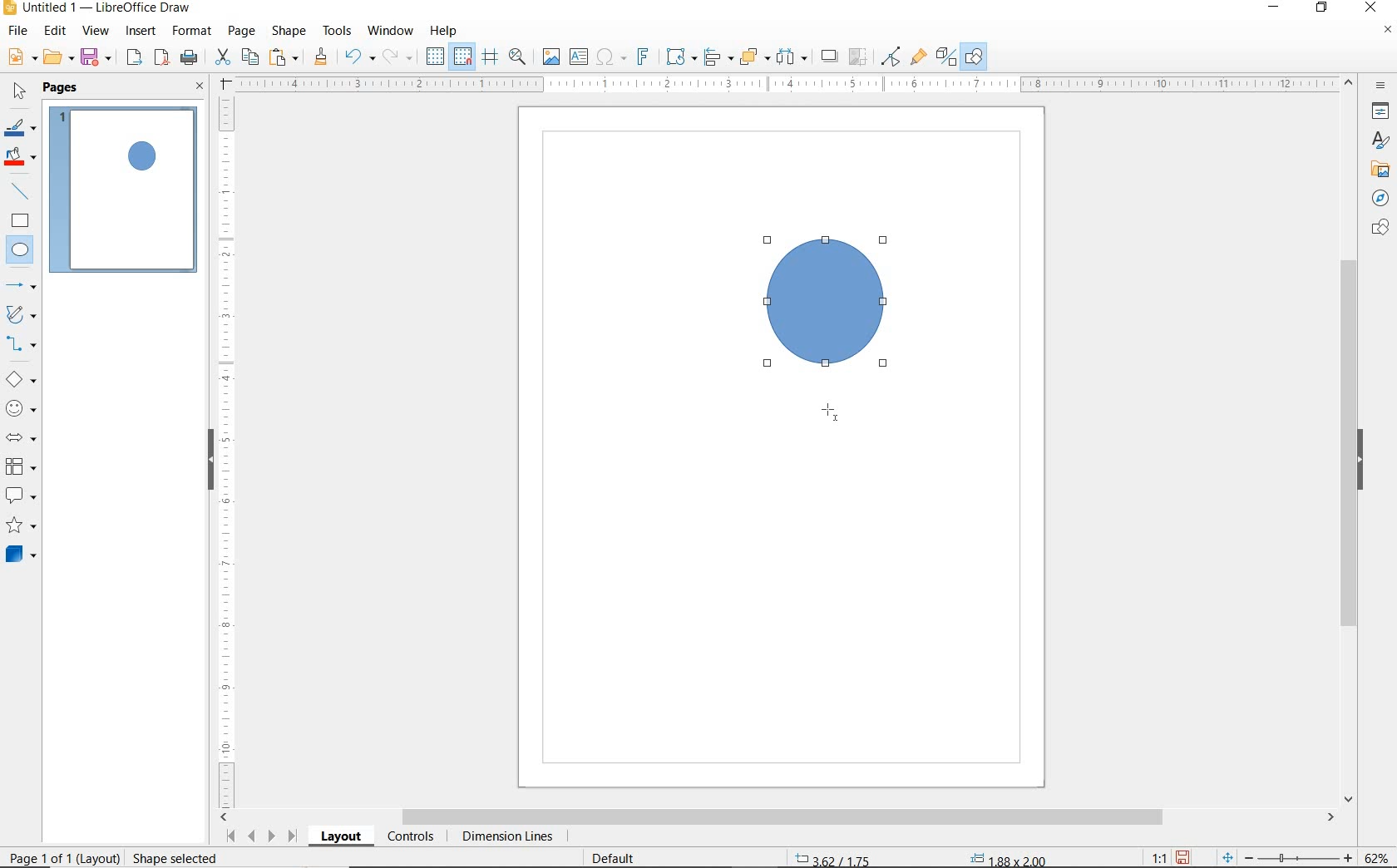 This screenshot has height=868, width=1397. I want to click on SCROLL NEXT, so click(259, 836).